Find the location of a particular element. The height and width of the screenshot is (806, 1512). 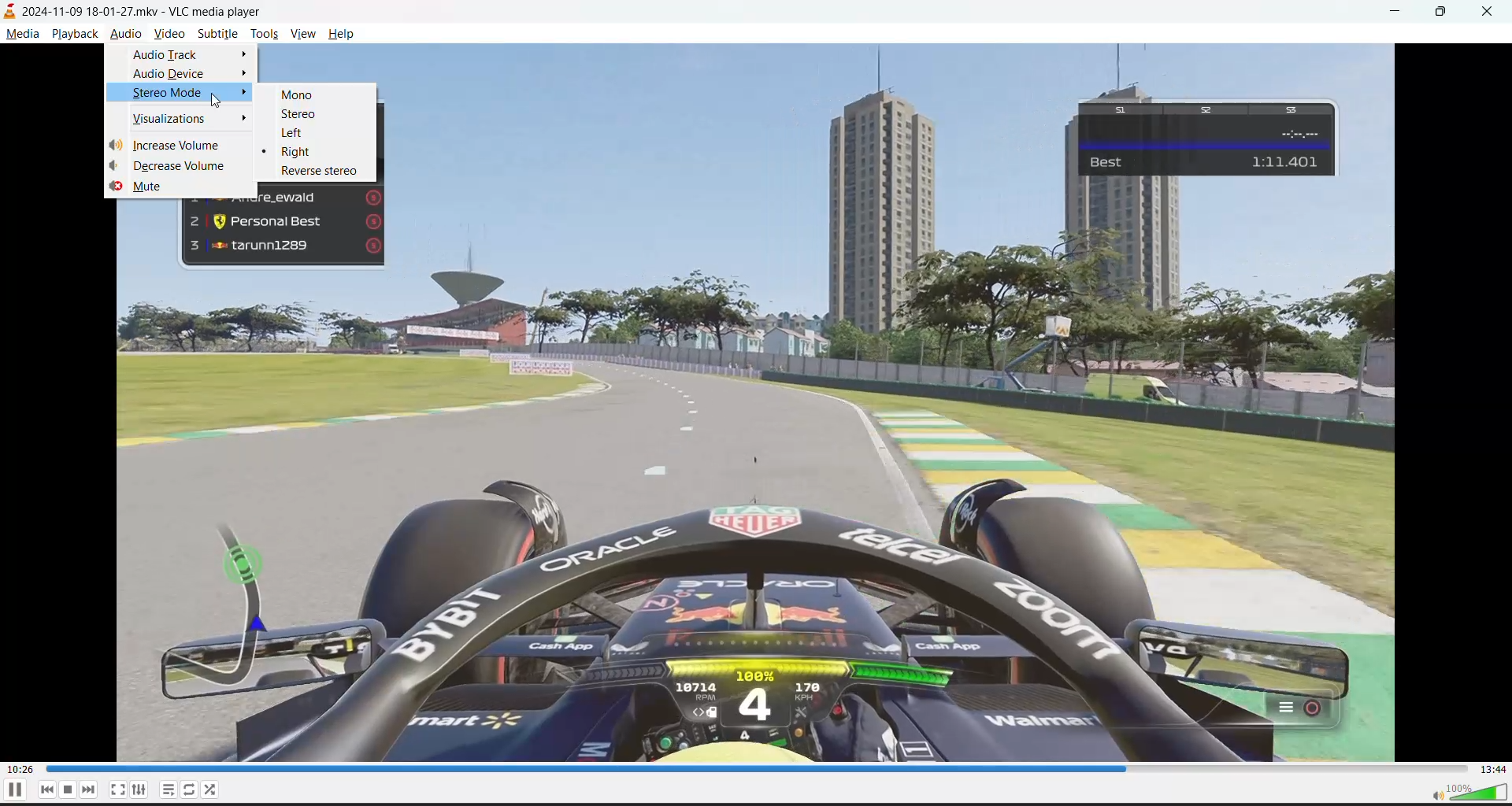

playlists is located at coordinates (169, 790).